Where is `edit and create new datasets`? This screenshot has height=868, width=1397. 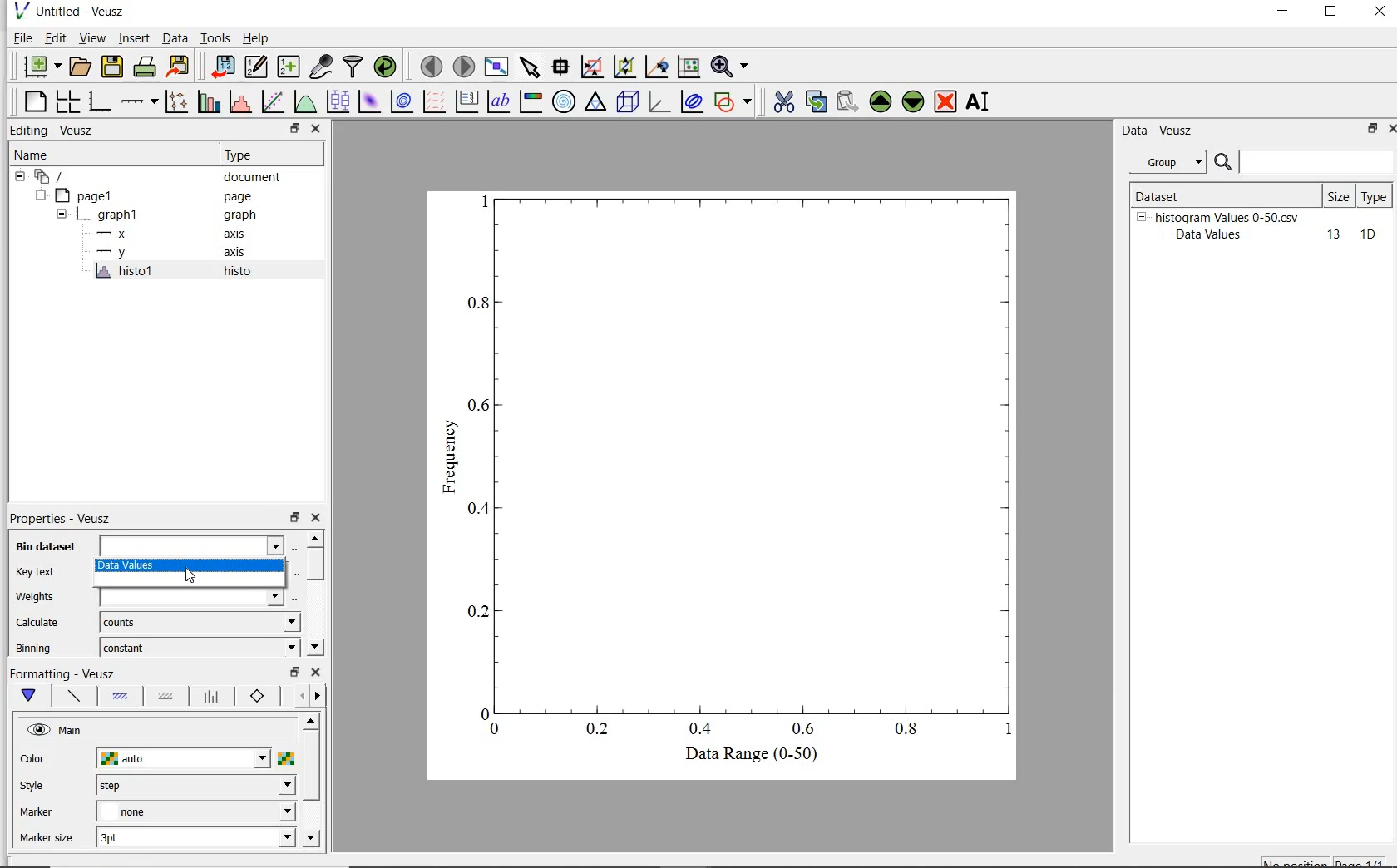
edit and create new datasets is located at coordinates (256, 66).